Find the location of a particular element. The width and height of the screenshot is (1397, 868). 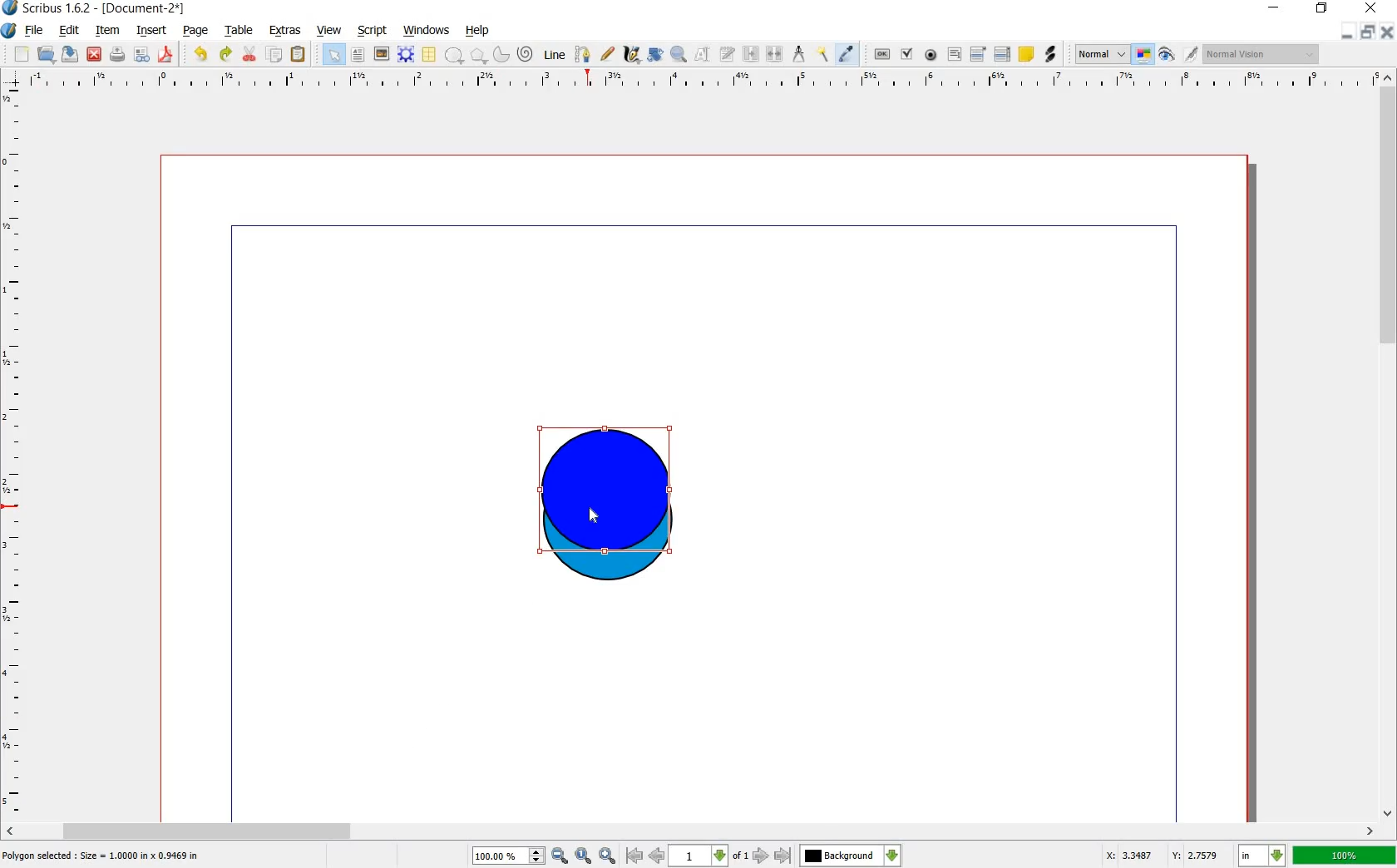

logo is located at coordinates (10, 7).